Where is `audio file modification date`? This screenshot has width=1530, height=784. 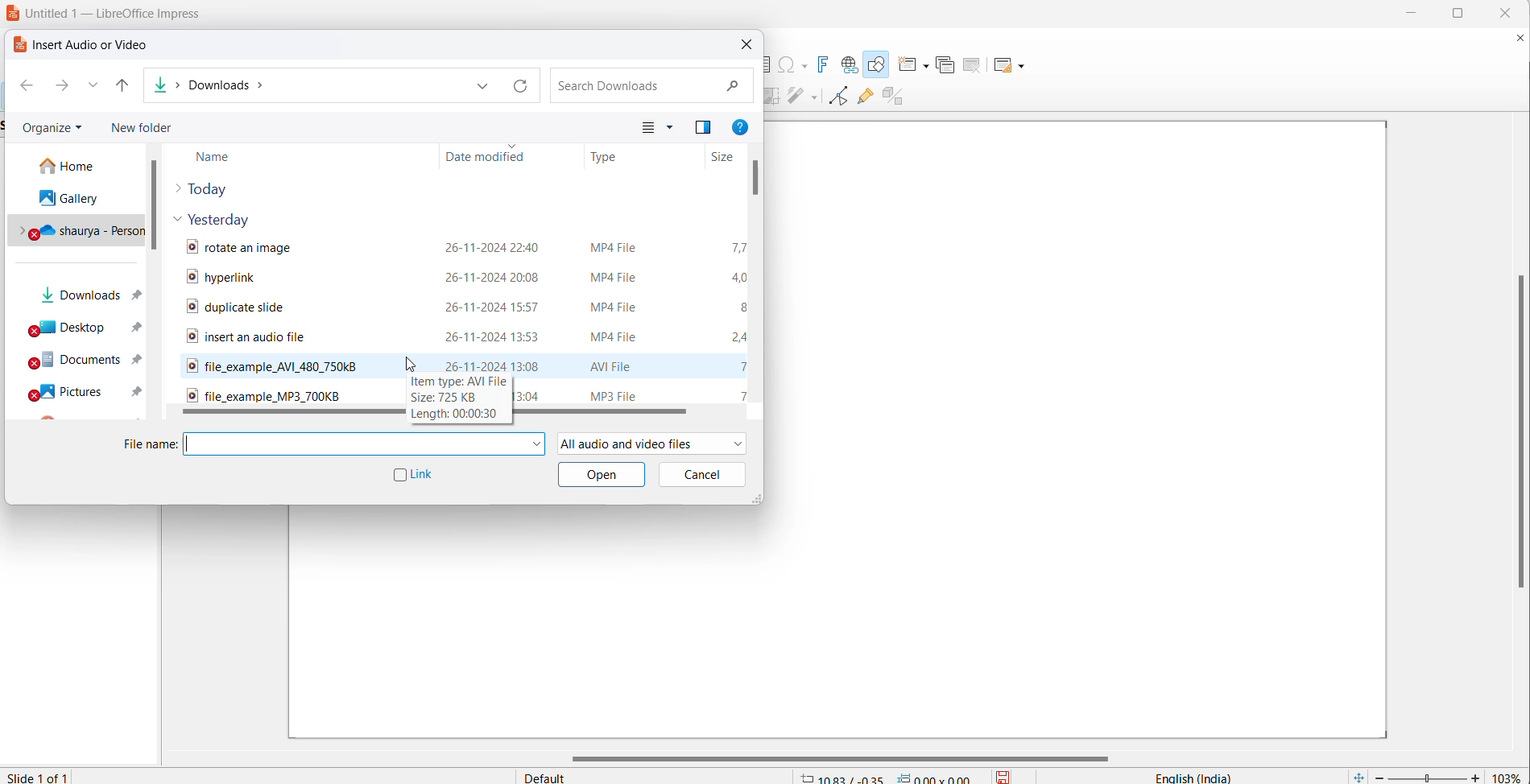
audio file modification date is located at coordinates (539, 391).